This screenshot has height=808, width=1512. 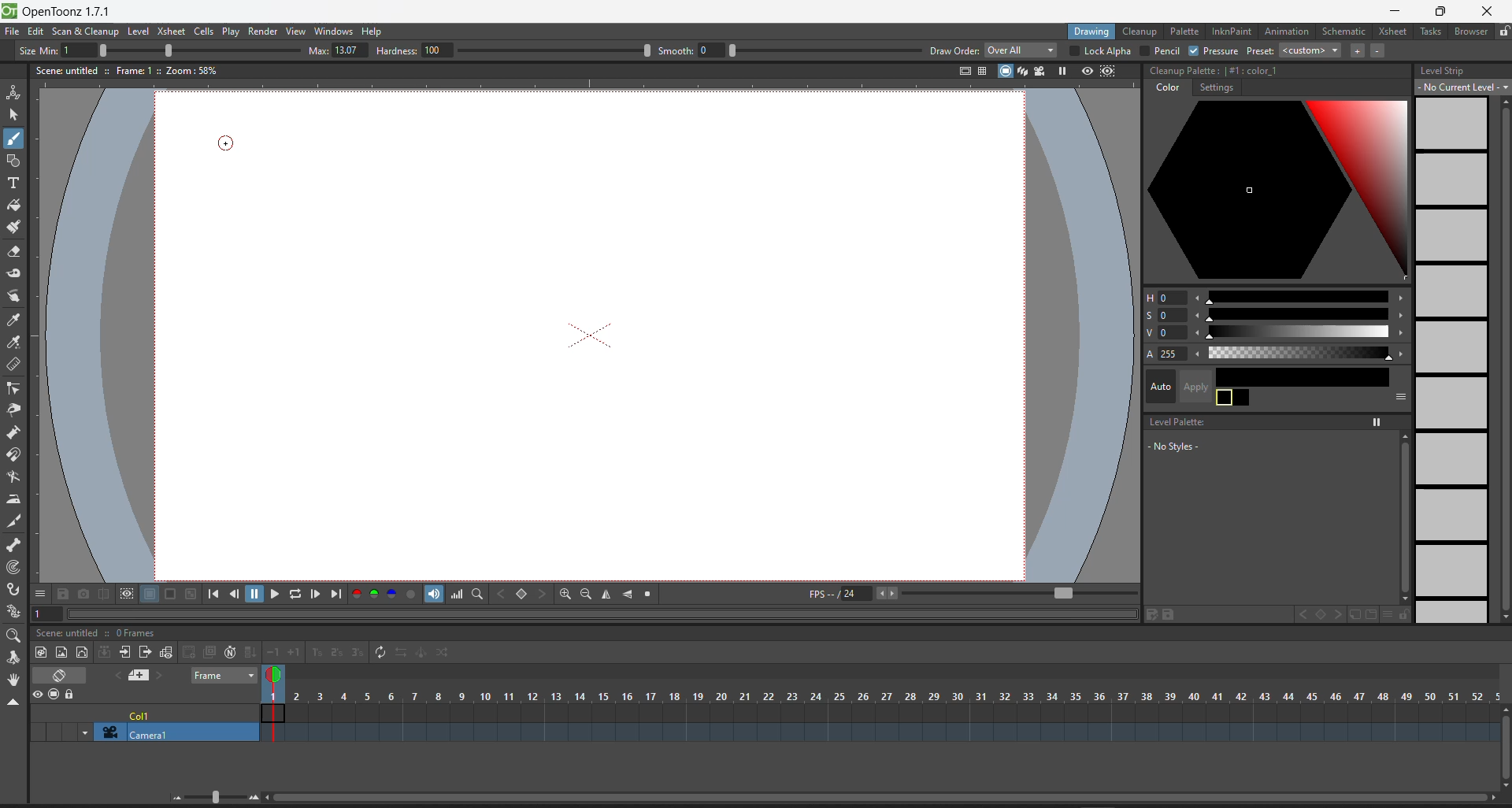 I want to click on previous frame, so click(x=236, y=595).